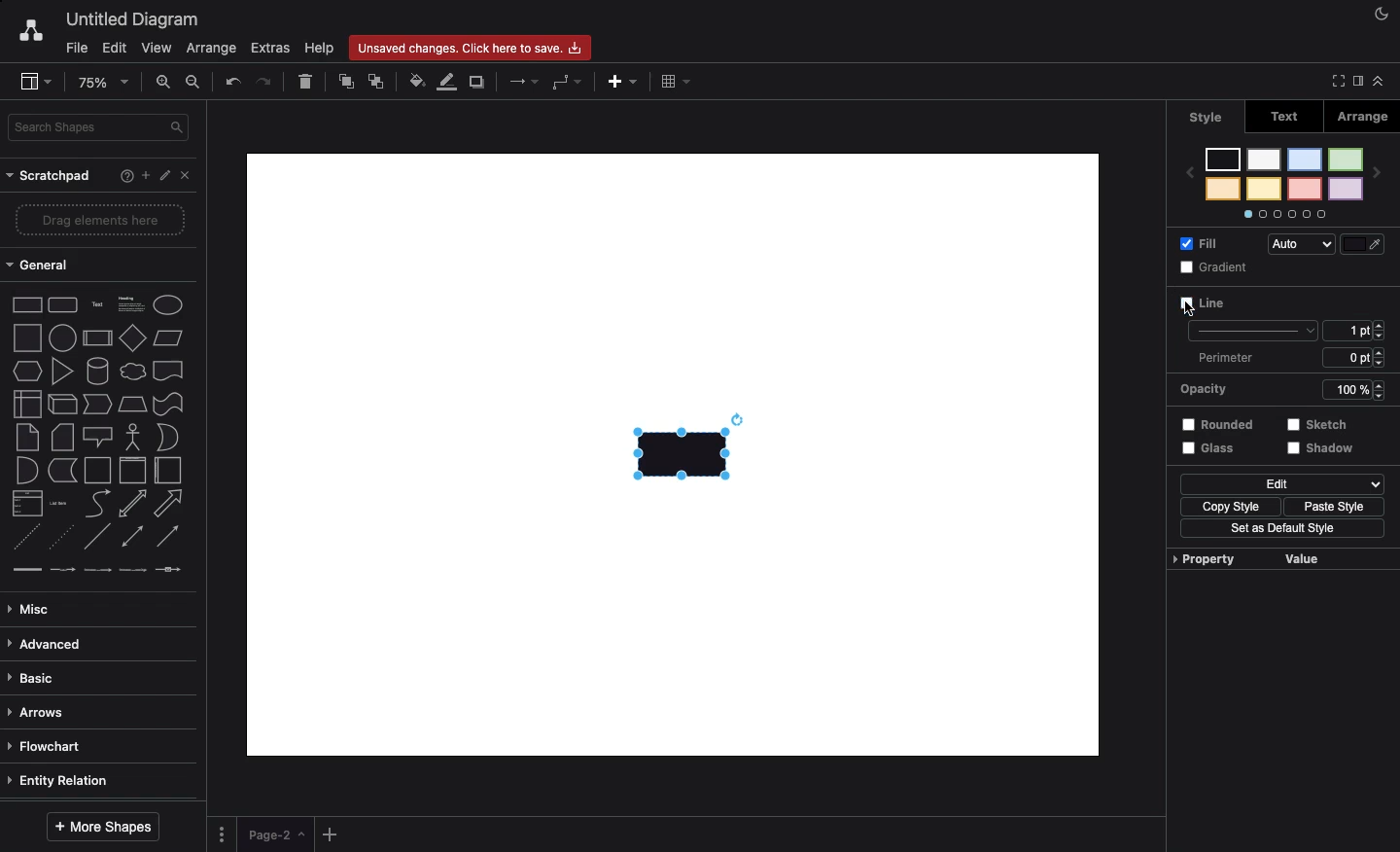 This screenshot has width=1400, height=852. I want to click on Gradient, so click(1210, 269).